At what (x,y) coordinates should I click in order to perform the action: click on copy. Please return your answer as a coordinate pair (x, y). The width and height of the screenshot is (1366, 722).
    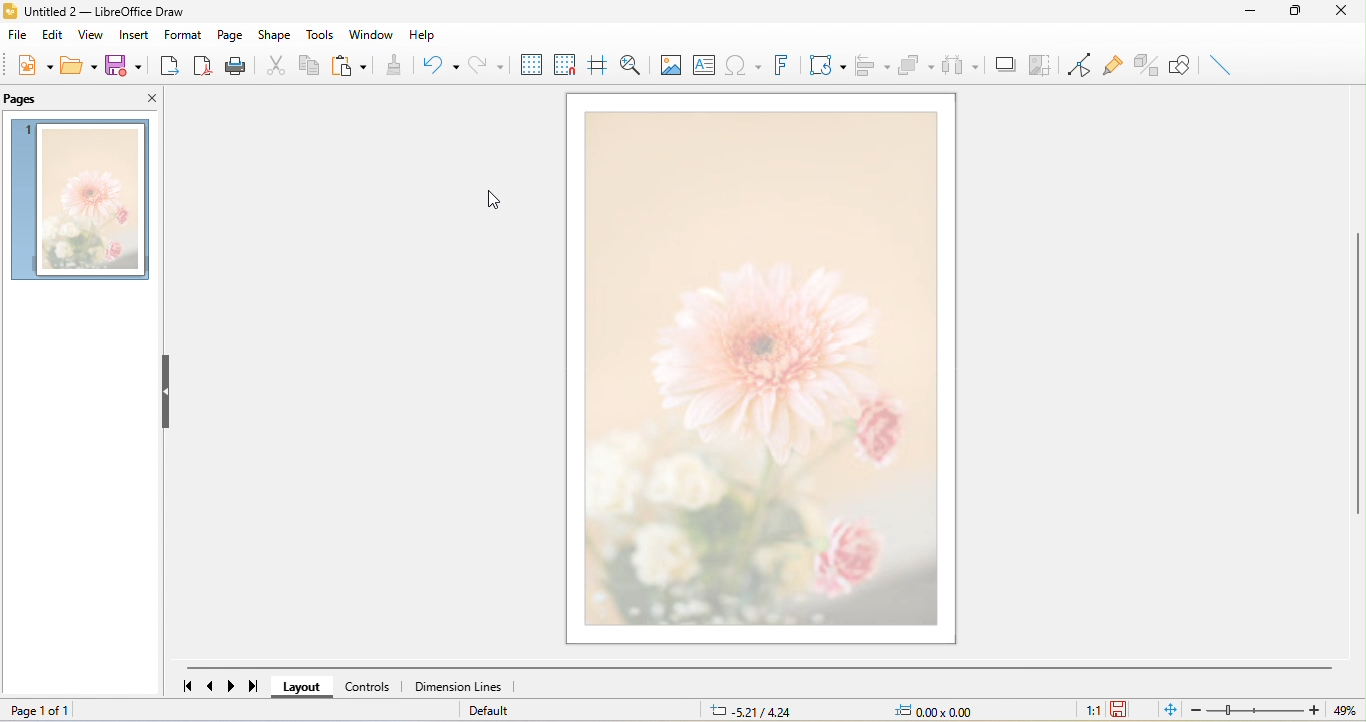
    Looking at the image, I should click on (307, 64).